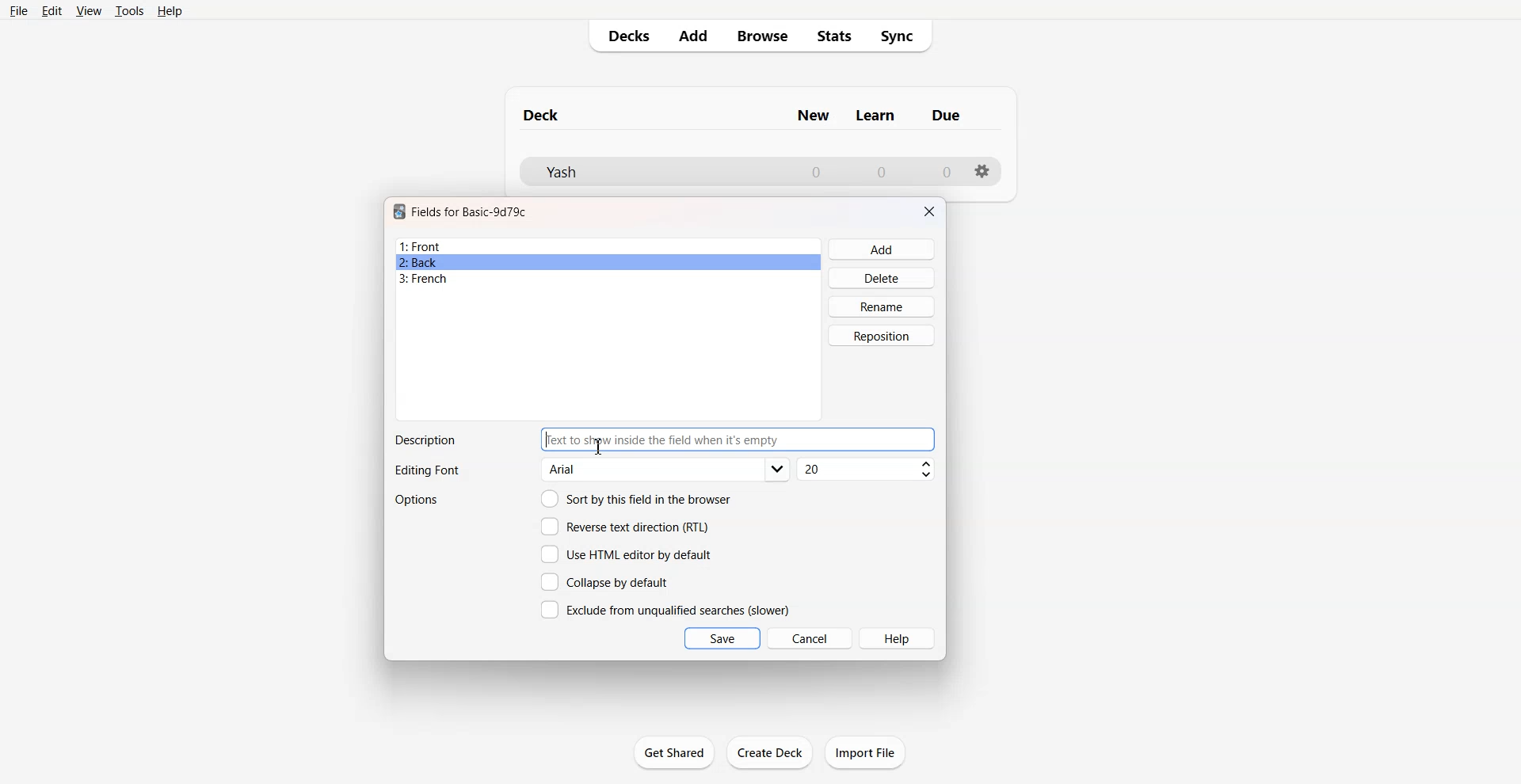 This screenshot has width=1521, height=784. I want to click on File, so click(17, 10).